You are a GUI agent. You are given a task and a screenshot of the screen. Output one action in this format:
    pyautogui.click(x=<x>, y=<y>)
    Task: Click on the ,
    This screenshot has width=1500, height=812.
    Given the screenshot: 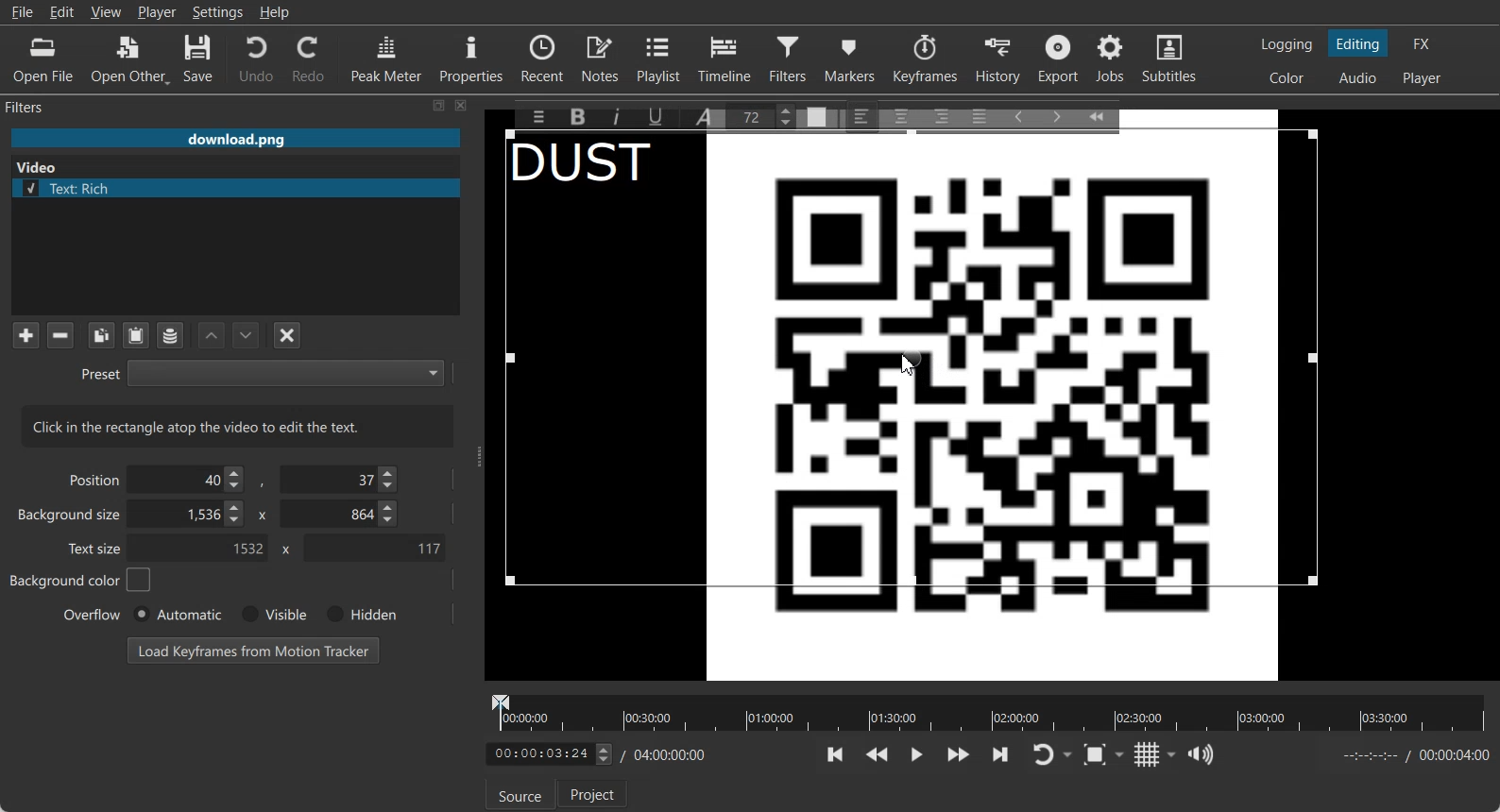 What is the action you would take?
    pyautogui.click(x=264, y=483)
    